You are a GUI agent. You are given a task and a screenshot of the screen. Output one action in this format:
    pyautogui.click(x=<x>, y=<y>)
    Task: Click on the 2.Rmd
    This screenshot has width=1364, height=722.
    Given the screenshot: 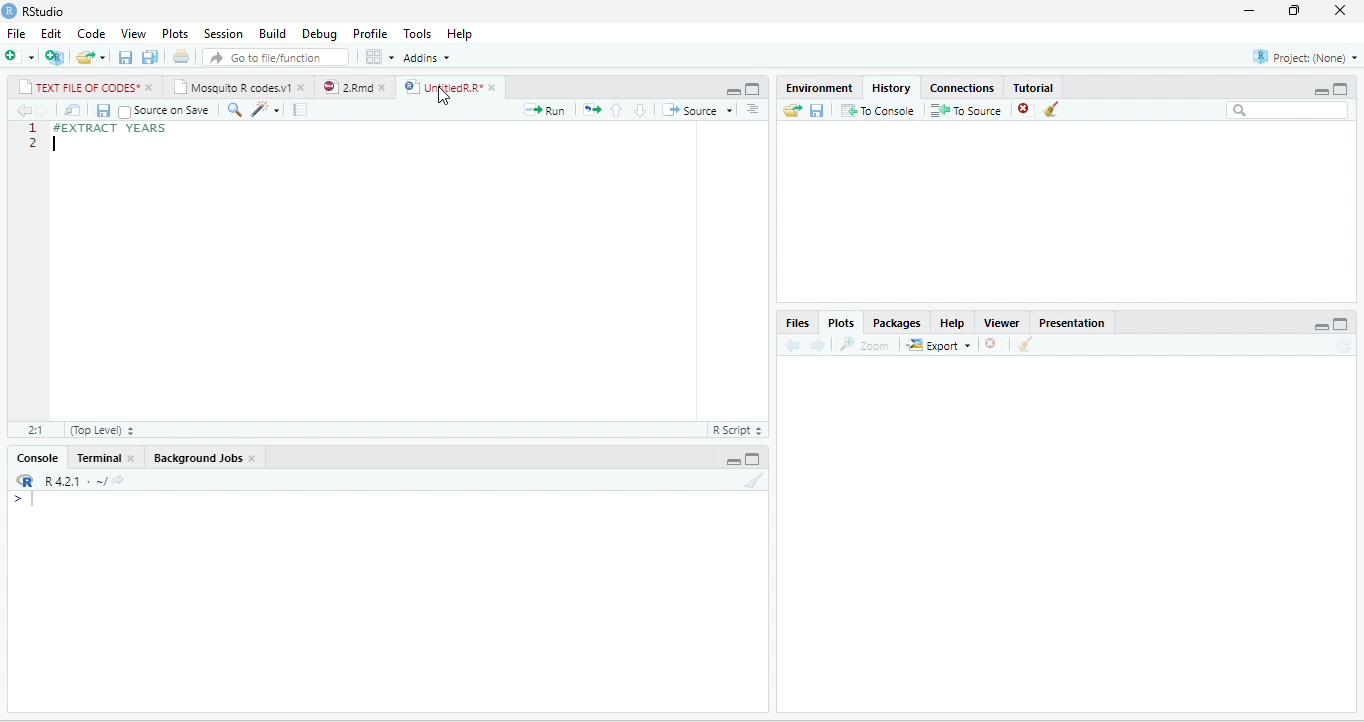 What is the action you would take?
    pyautogui.click(x=346, y=87)
    